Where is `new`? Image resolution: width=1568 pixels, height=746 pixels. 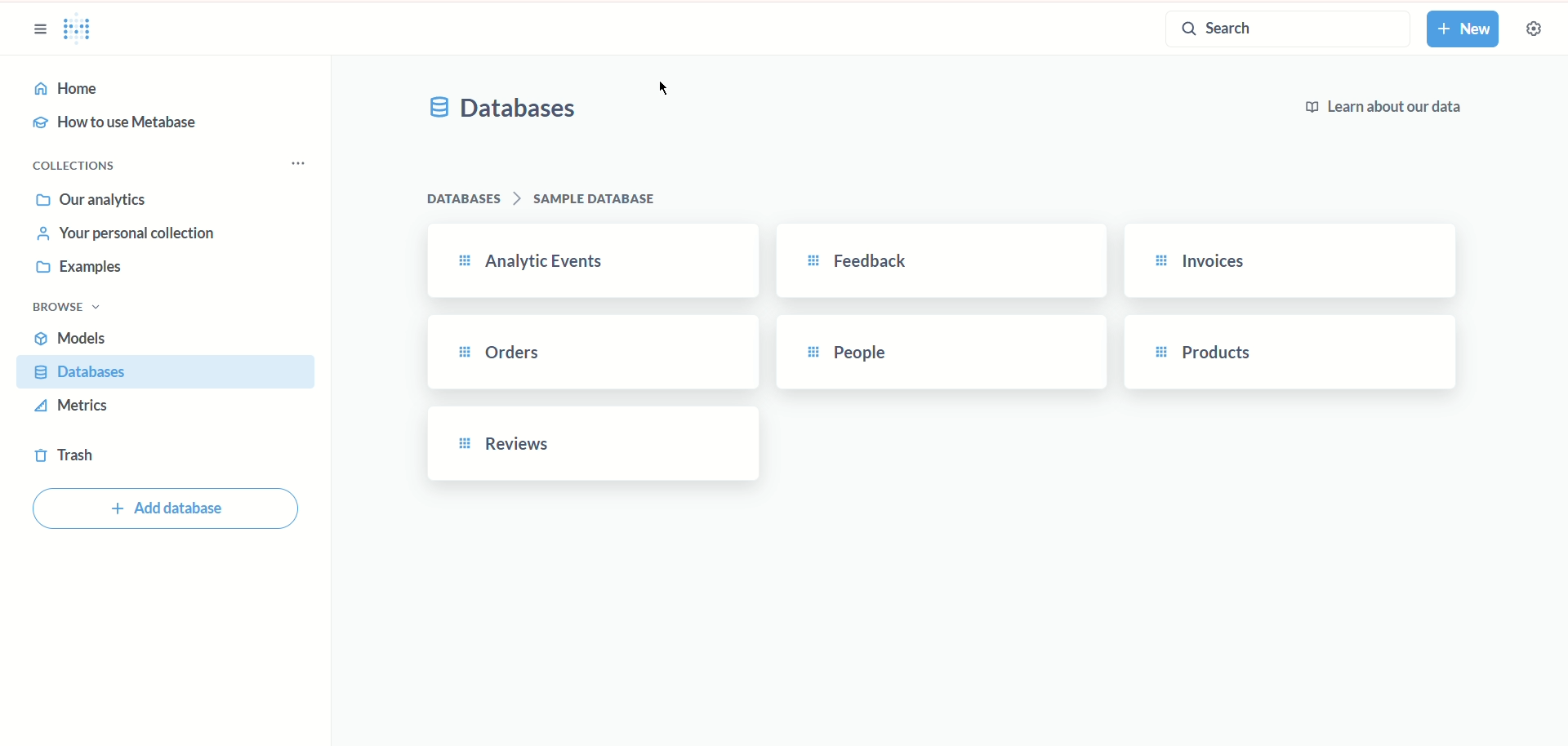 new is located at coordinates (1466, 29).